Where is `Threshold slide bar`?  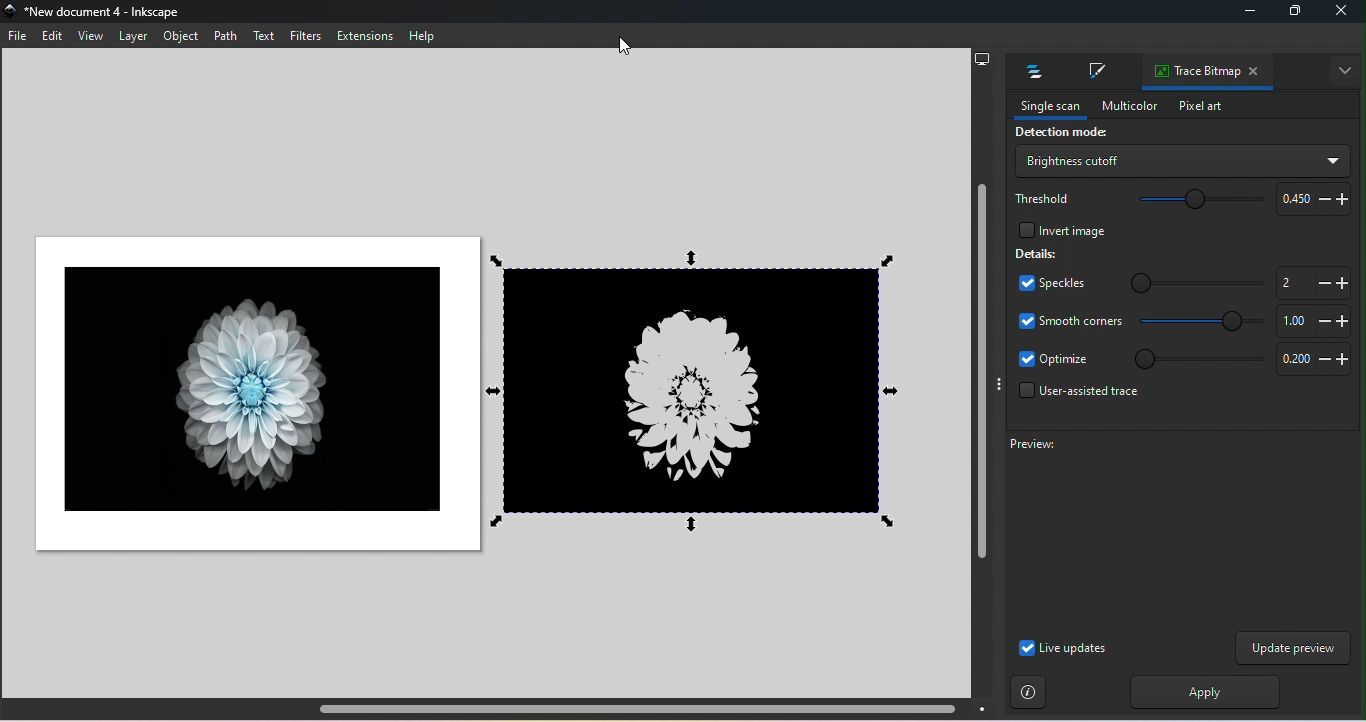 Threshold slide bar is located at coordinates (1191, 201).